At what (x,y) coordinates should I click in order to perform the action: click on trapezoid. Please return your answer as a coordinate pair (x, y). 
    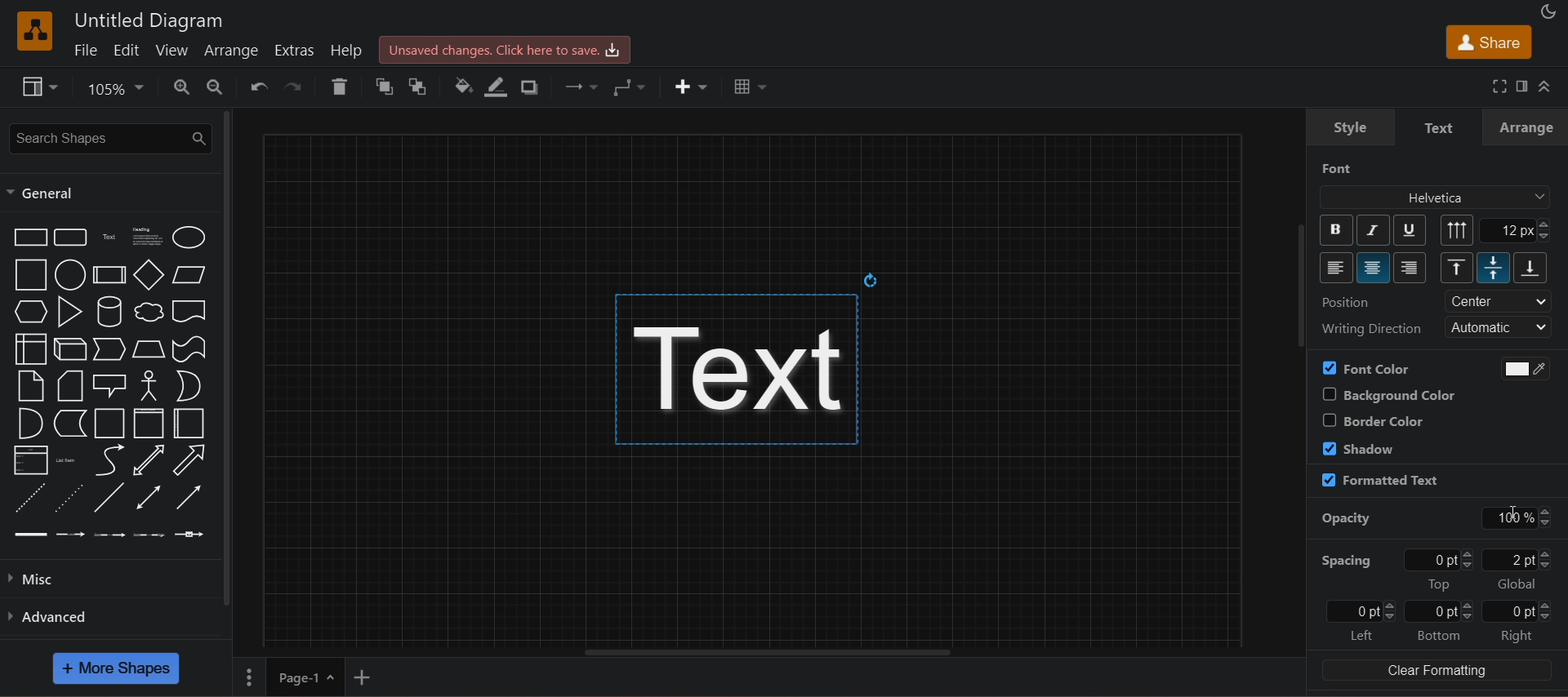
    Looking at the image, I should click on (149, 349).